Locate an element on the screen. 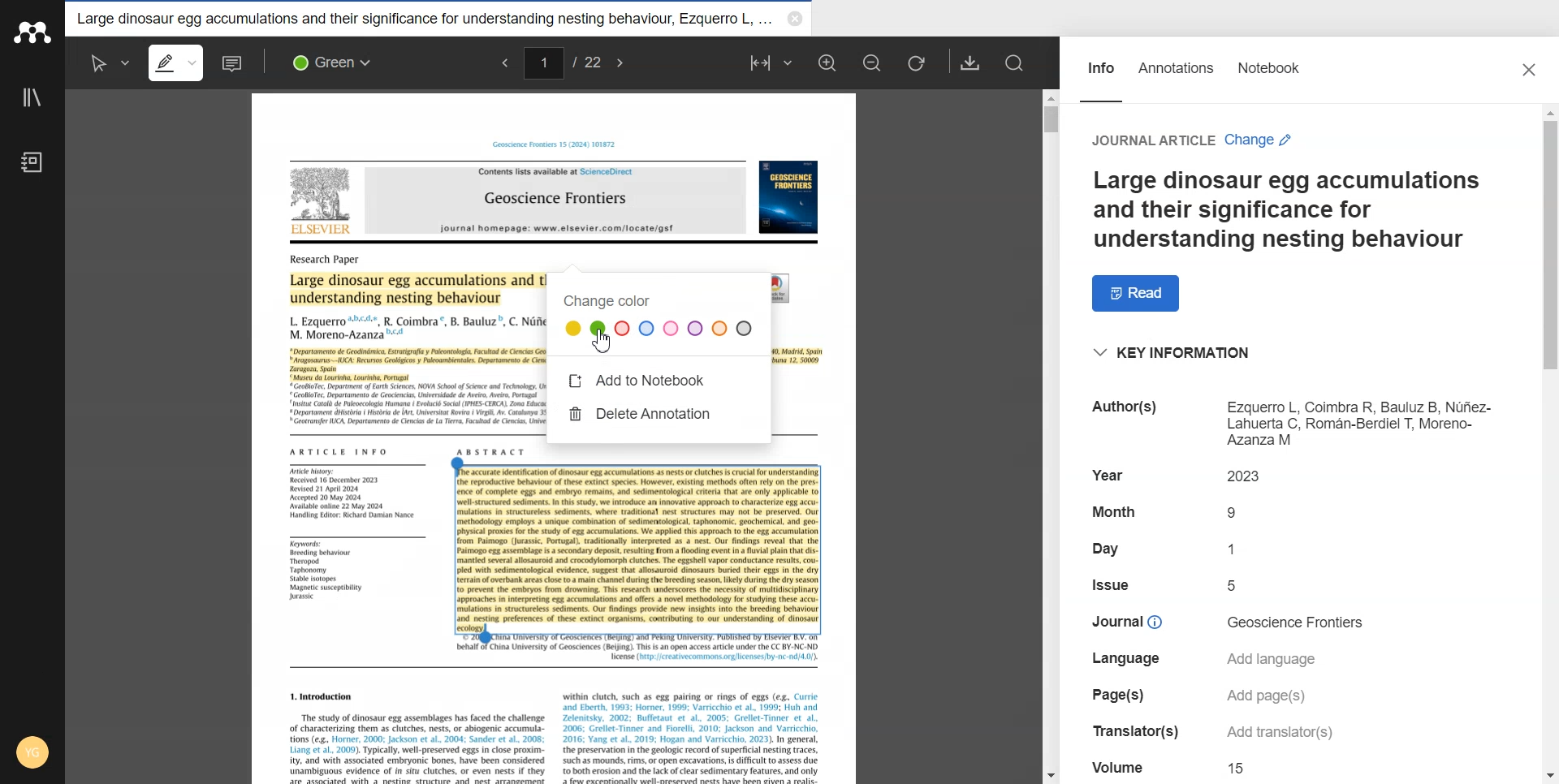 The height and width of the screenshot is (784, 1559). Select text is located at coordinates (106, 62).